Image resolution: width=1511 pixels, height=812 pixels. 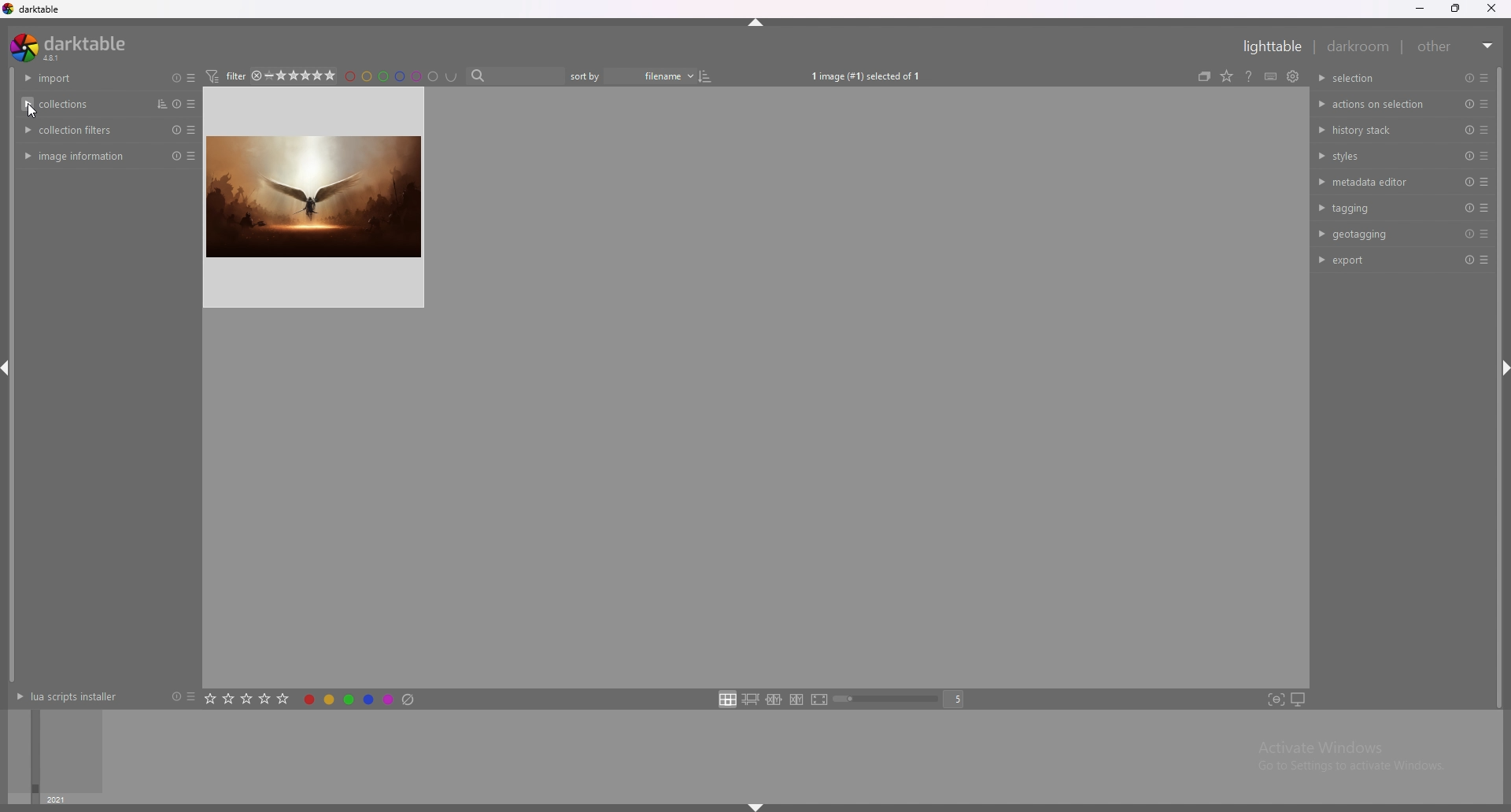 I want to click on actions on selection, so click(x=1374, y=105).